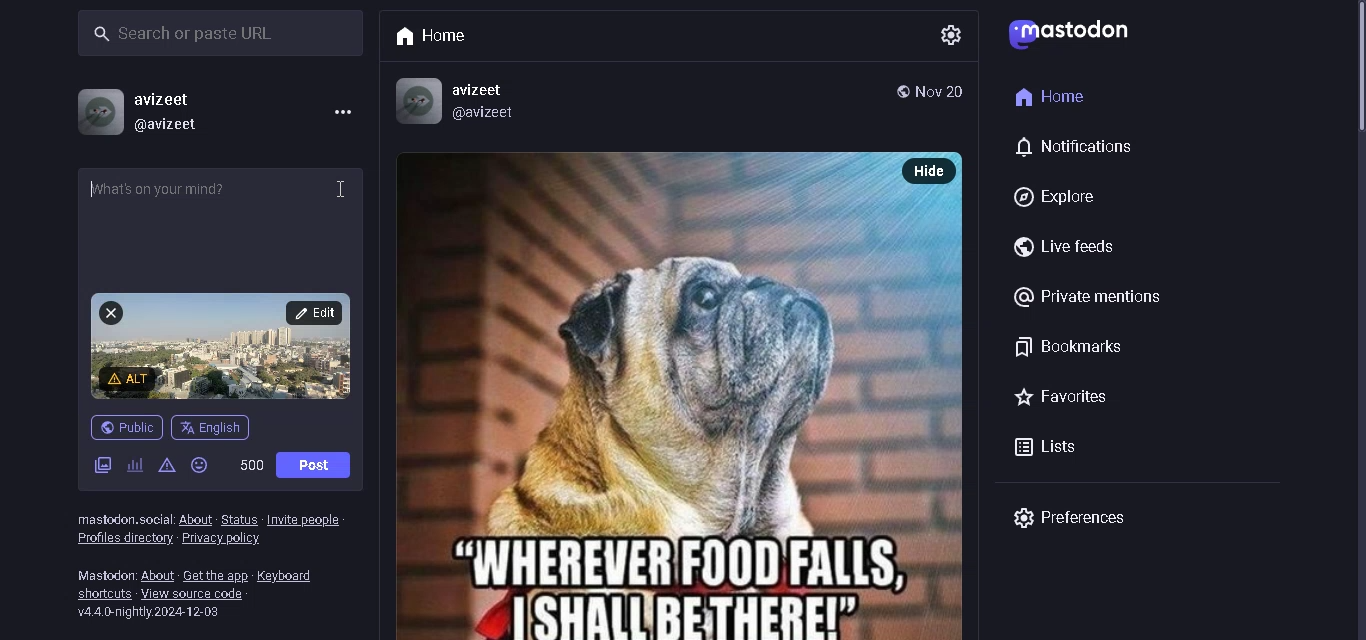 This screenshot has width=1366, height=640. What do you see at coordinates (214, 574) in the screenshot?
I see `get the app` at bounding box center [214, 574].